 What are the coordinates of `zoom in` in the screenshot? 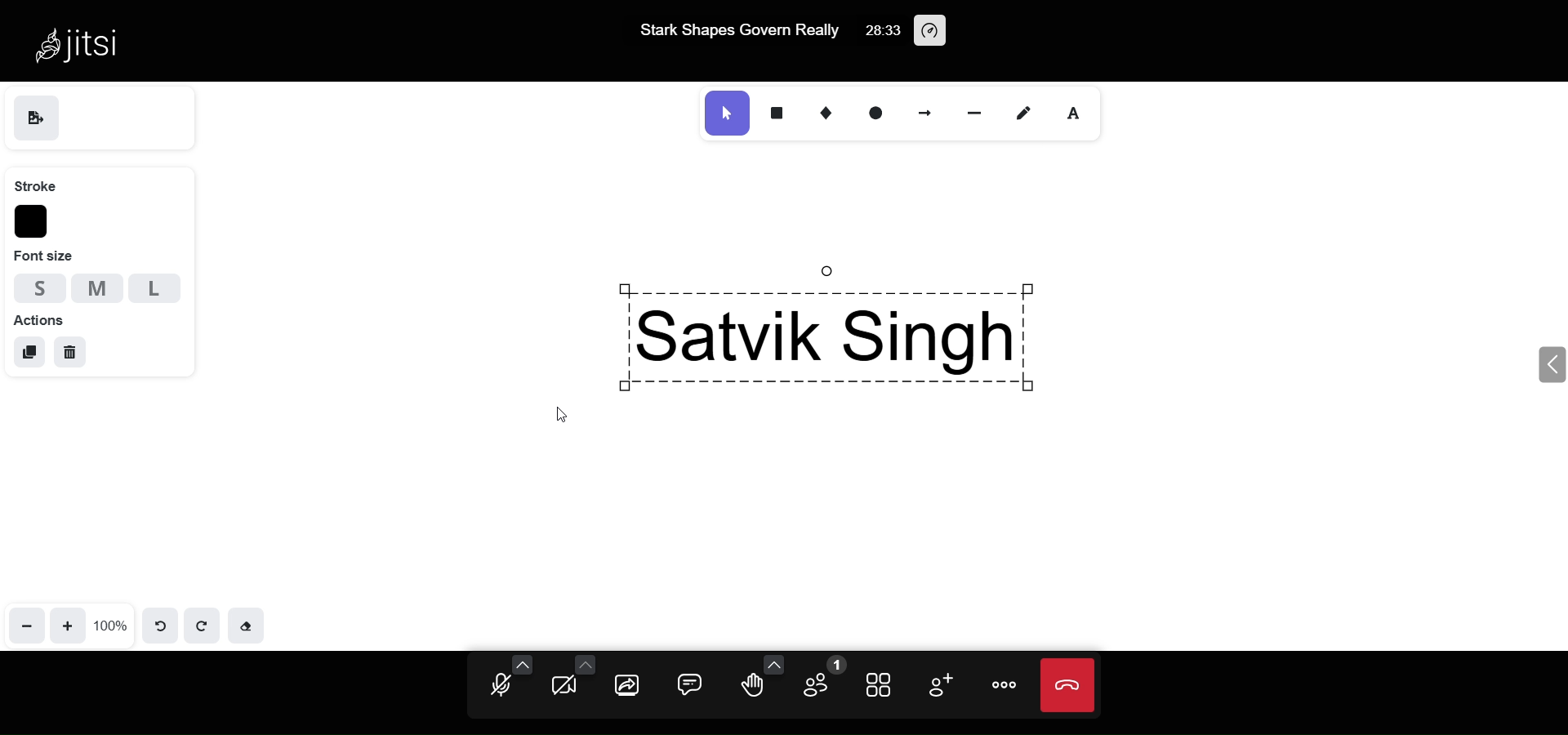 It's located at (69, 624).